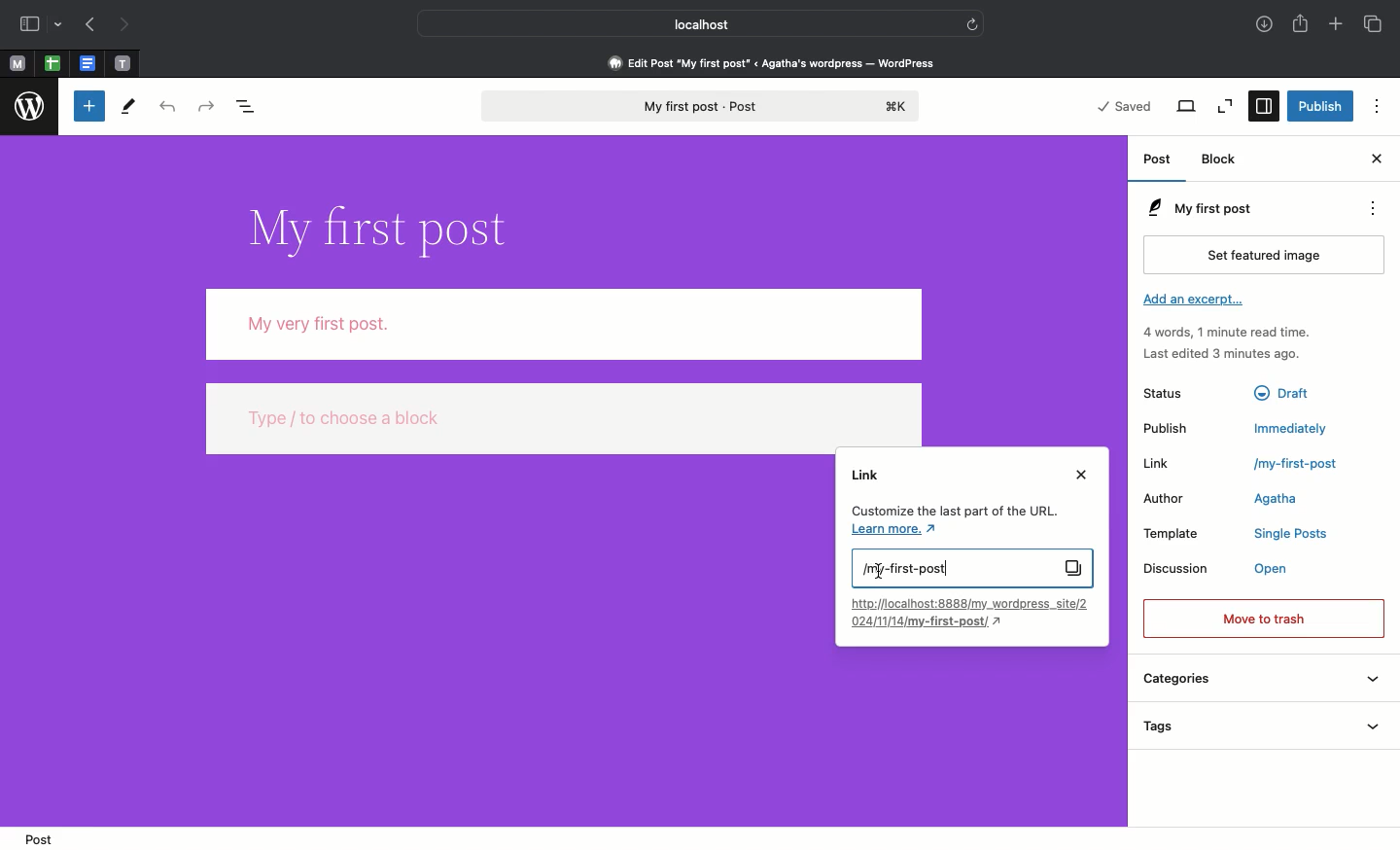  Describe the element at coordinates (167, 105) in the screenshot. I see `Undo` at that location.